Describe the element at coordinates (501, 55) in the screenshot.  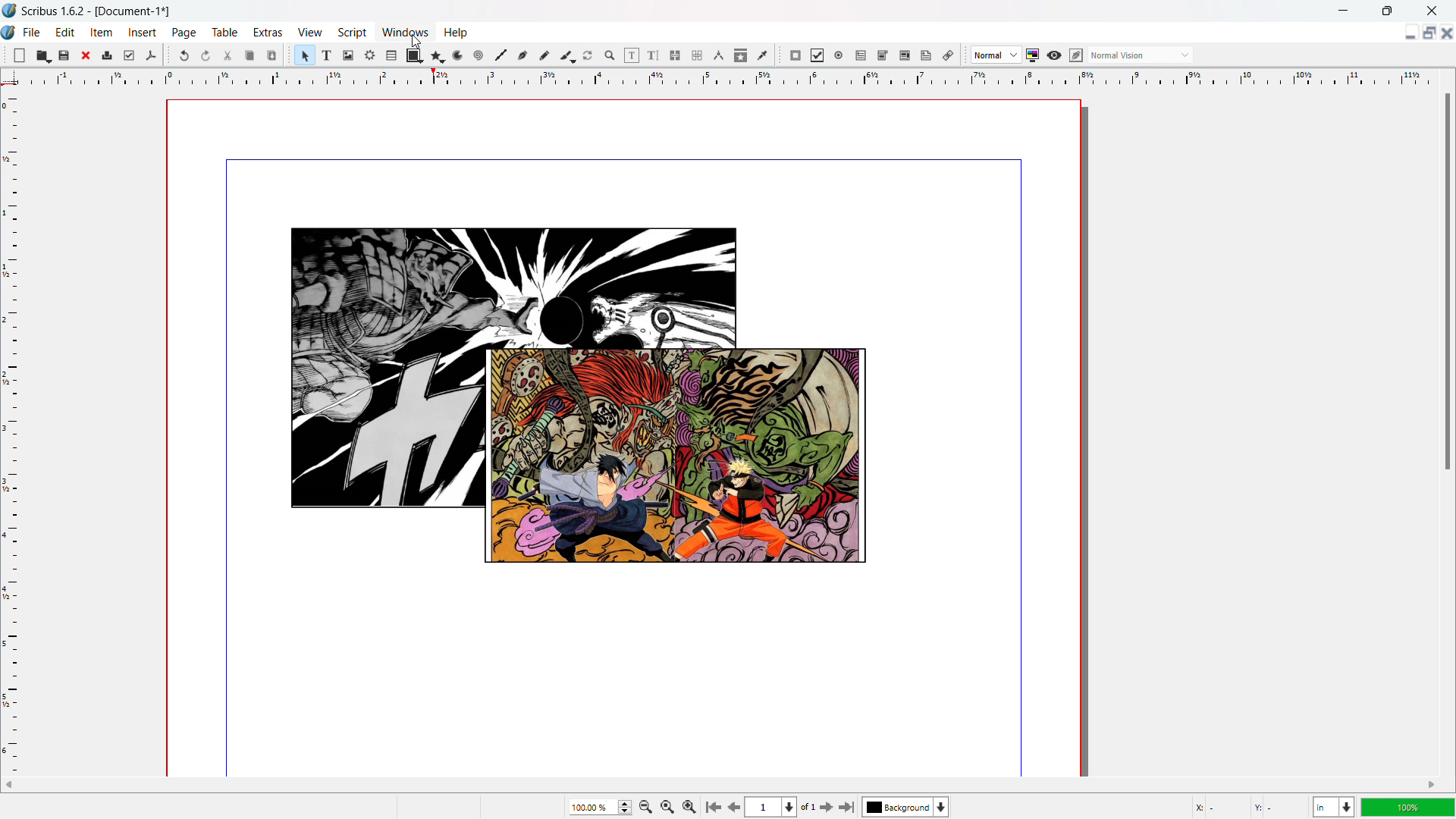
I see `line` at that location.